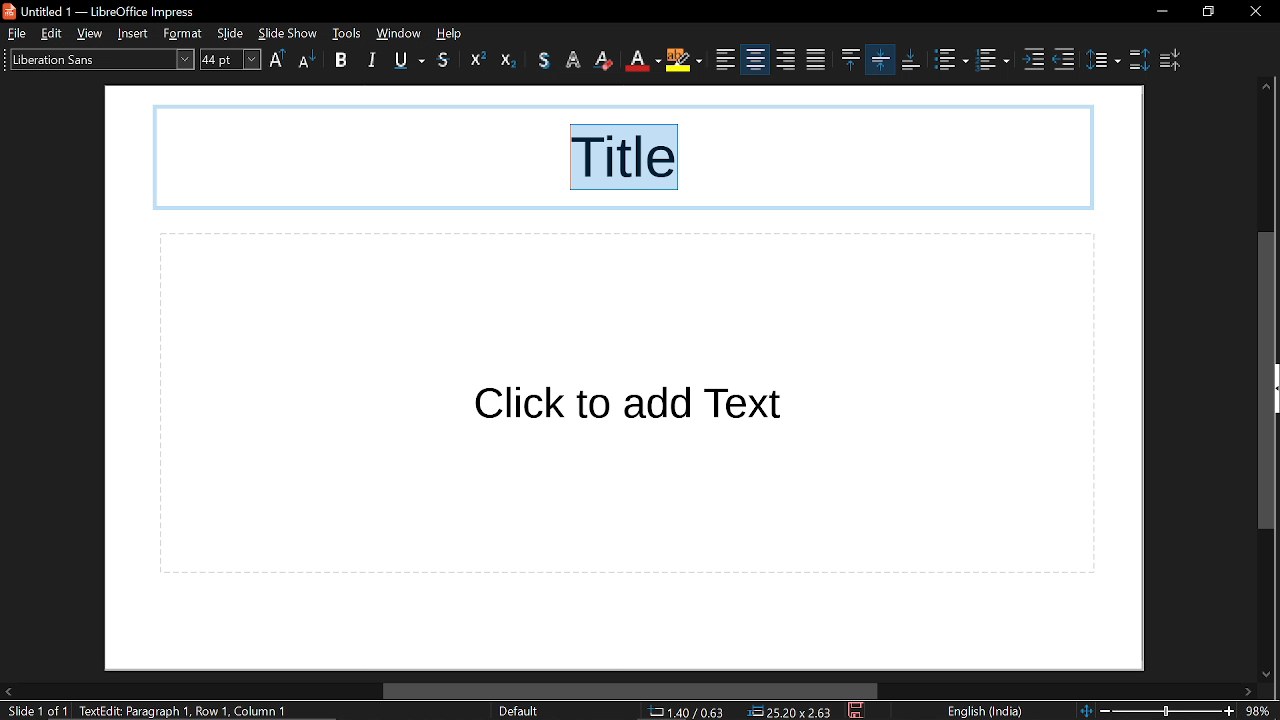 The width and height of the screenshot is (1280, 720). Describe the element at coordinates (1261, 711) in the screenshot. I see `current zoom` at that location.